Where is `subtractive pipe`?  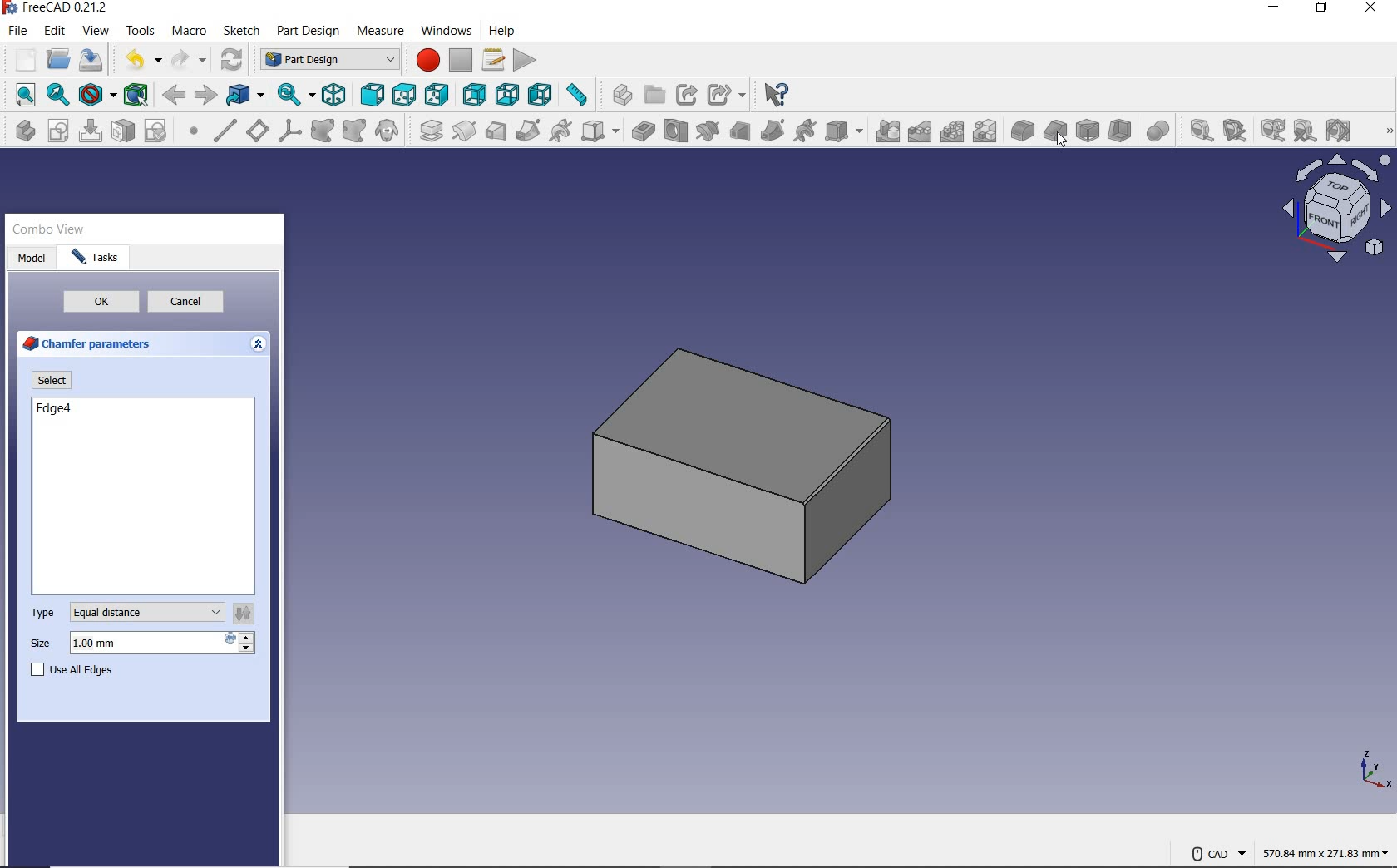 subtractive pipe is located at coordinates (774, 131).